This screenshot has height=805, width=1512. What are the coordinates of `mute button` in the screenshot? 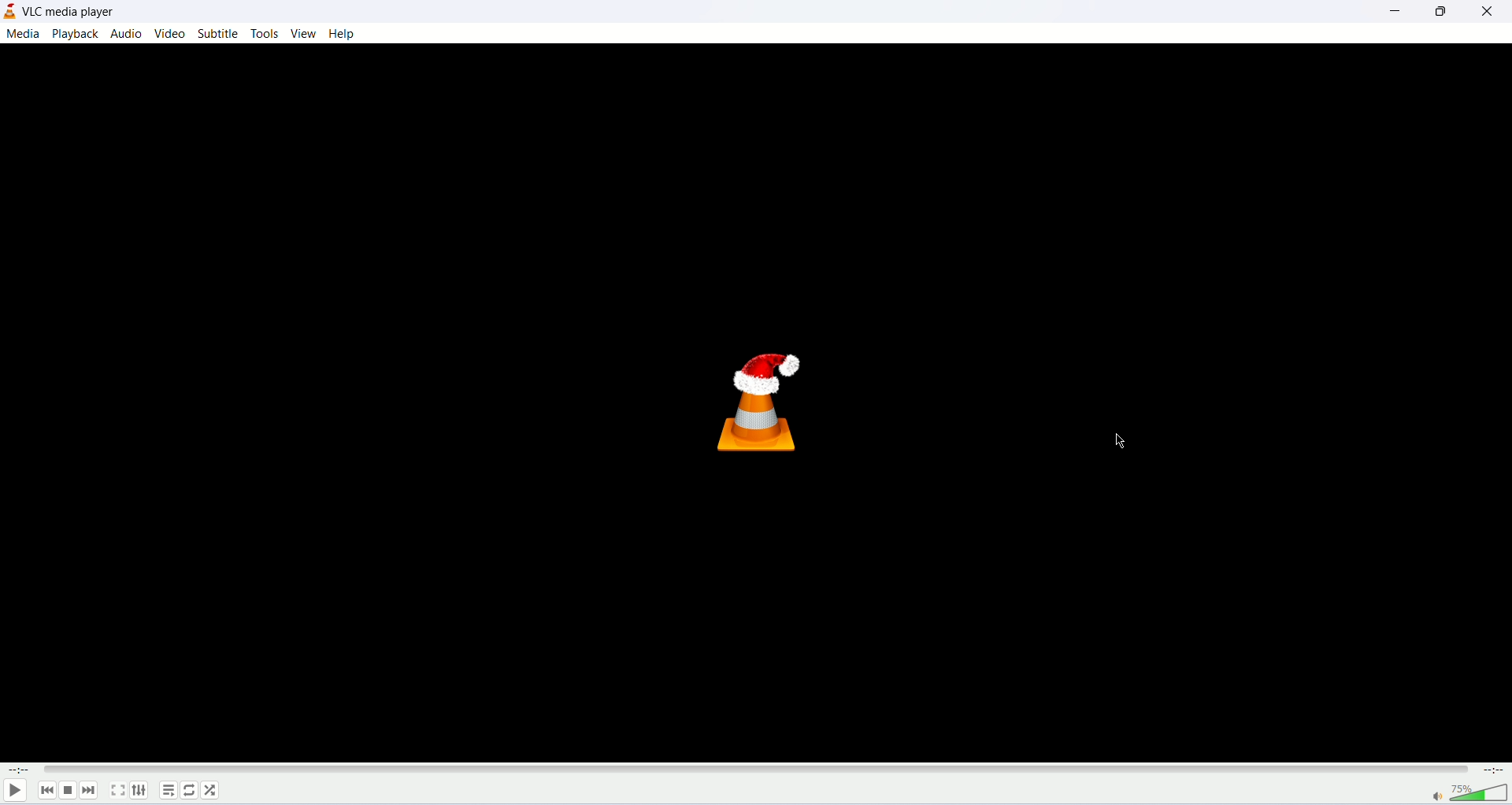 It's located at (1438, 796).